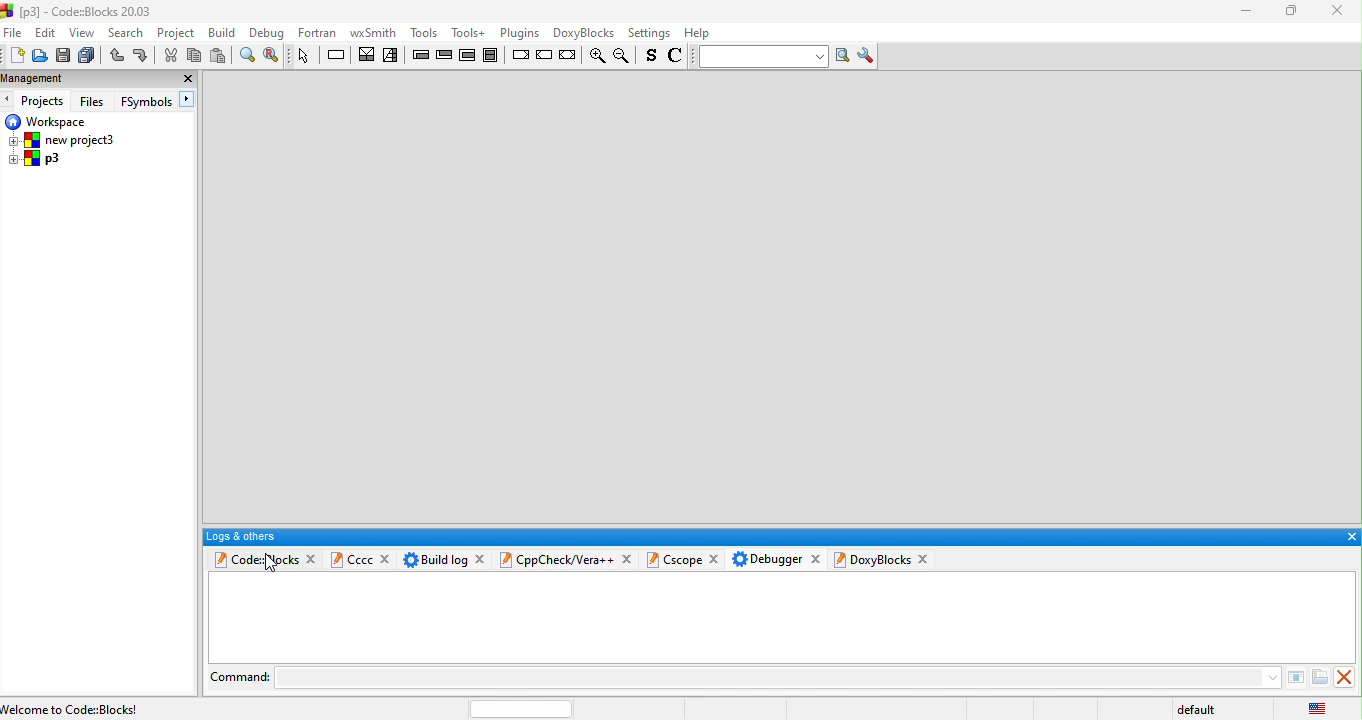  What do you see at coordinates (305, 55) in the screenshot?
I see `select` at bounding box center [305, 55].